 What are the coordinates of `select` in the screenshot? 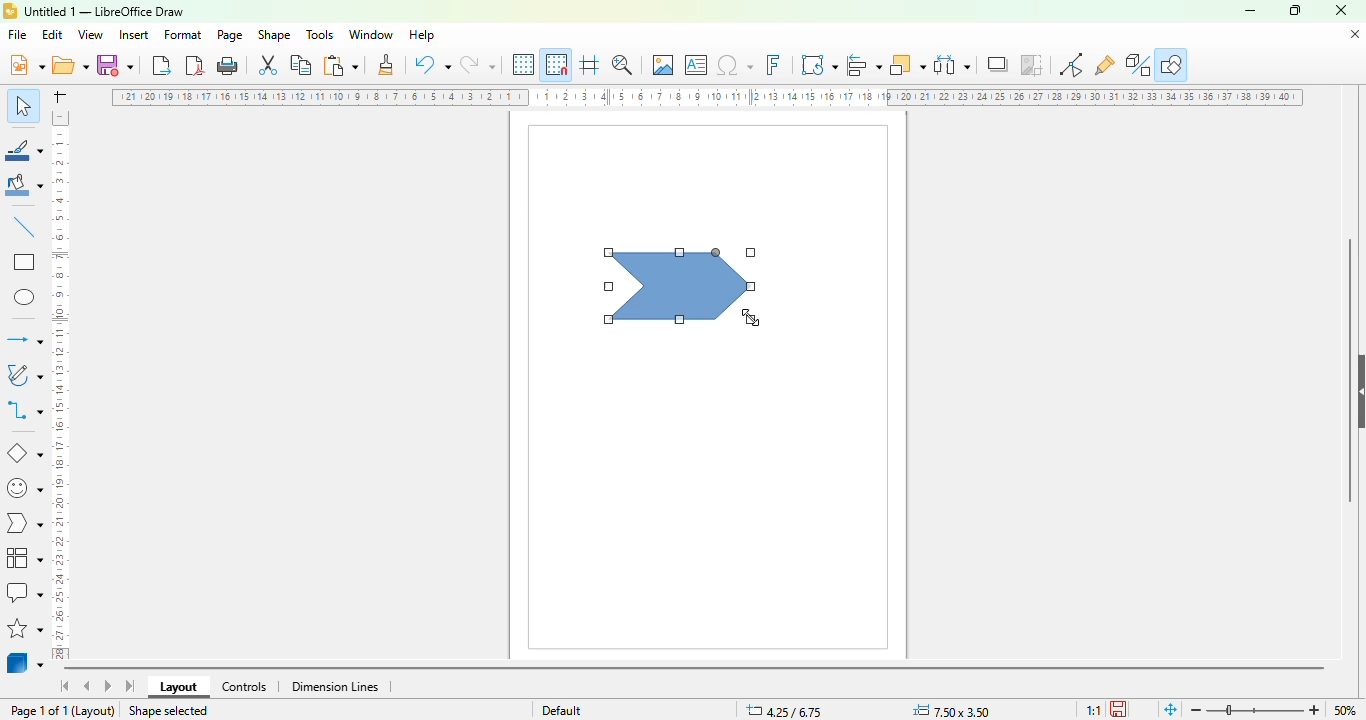 It's located at (22, 105).